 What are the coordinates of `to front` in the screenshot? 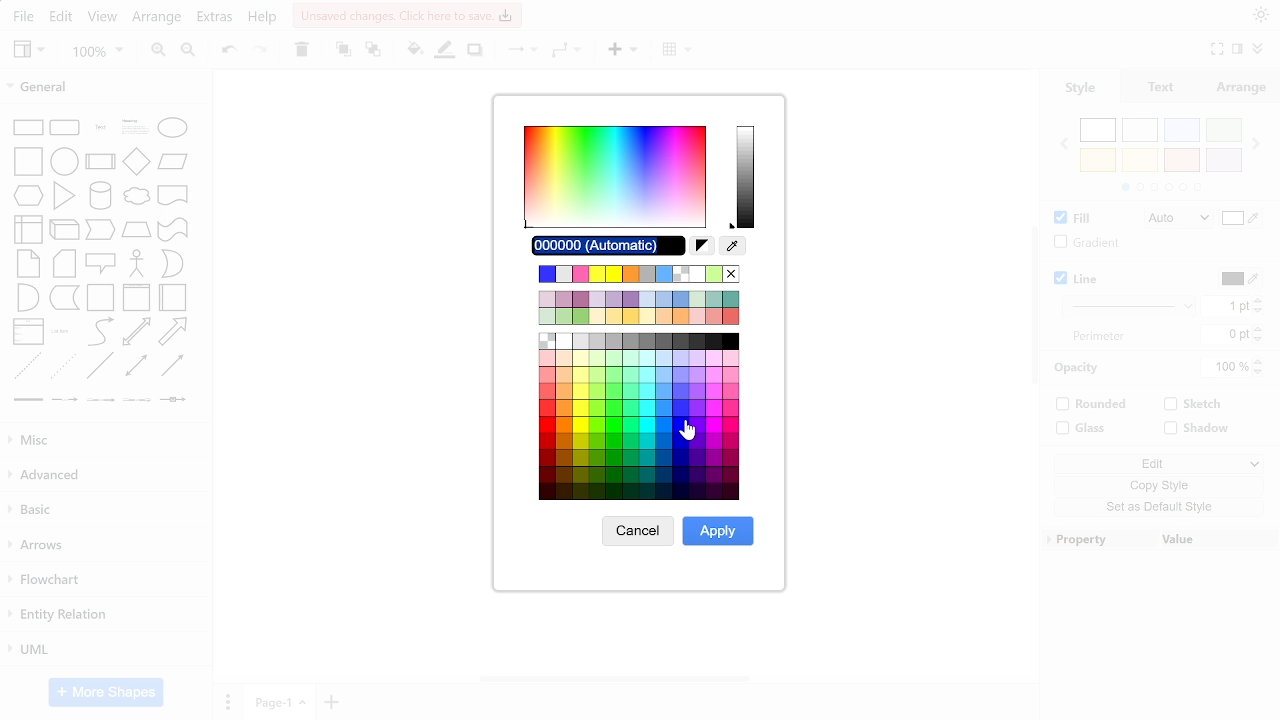 It's located at (342, 51).